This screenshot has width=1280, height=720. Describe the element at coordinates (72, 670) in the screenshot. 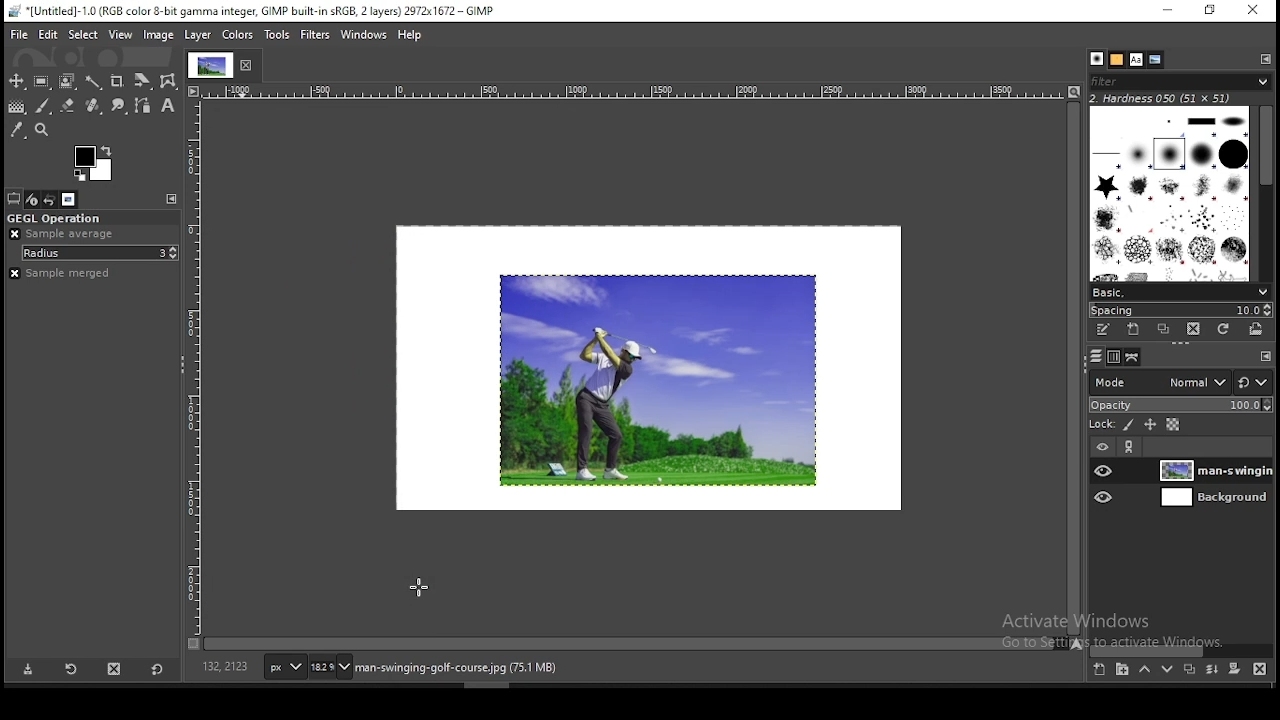

I see `restore tool preset` at that location.